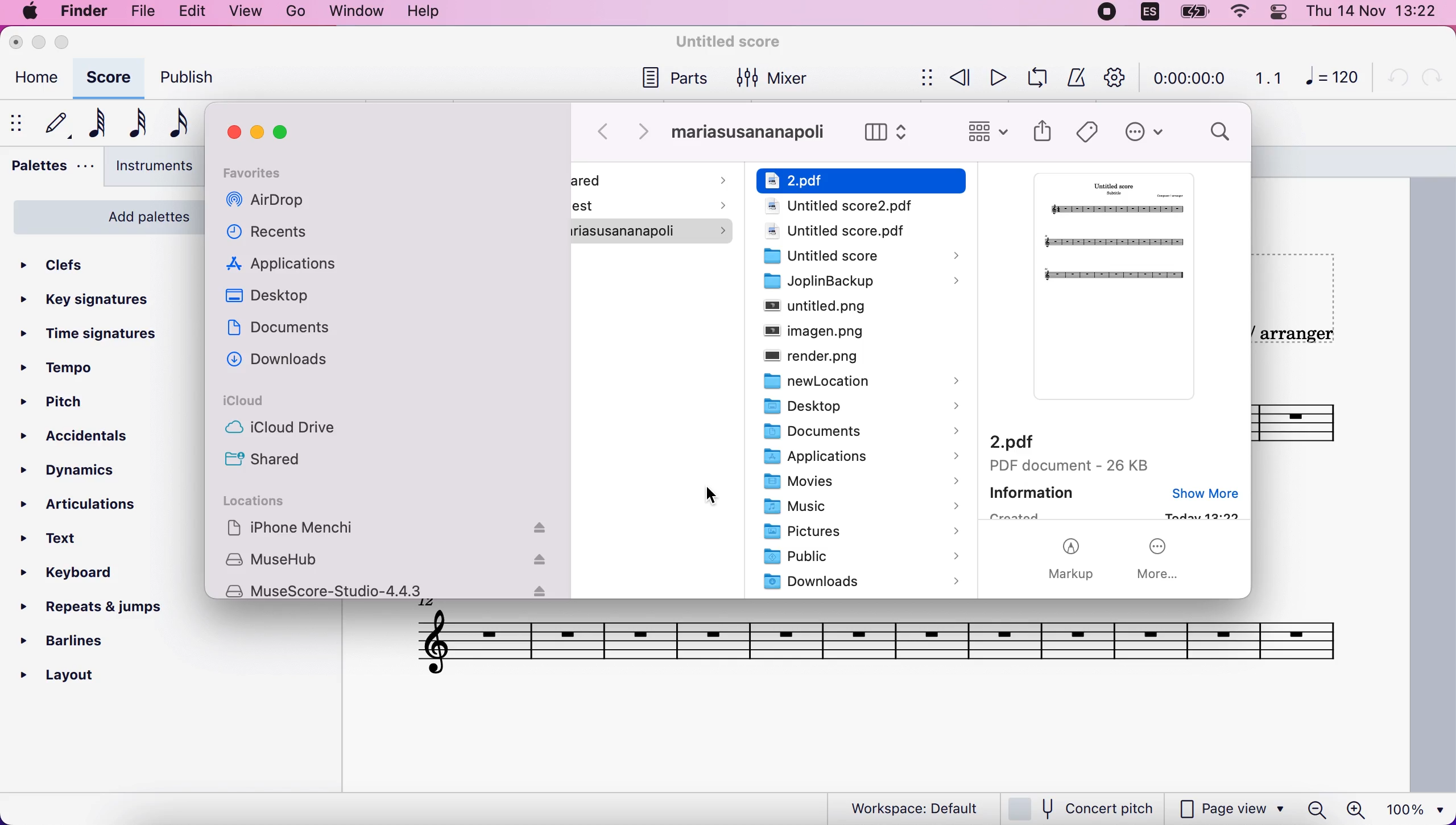 The image size is (1456, 825). I want to click on file preview, so click(1107, 292).